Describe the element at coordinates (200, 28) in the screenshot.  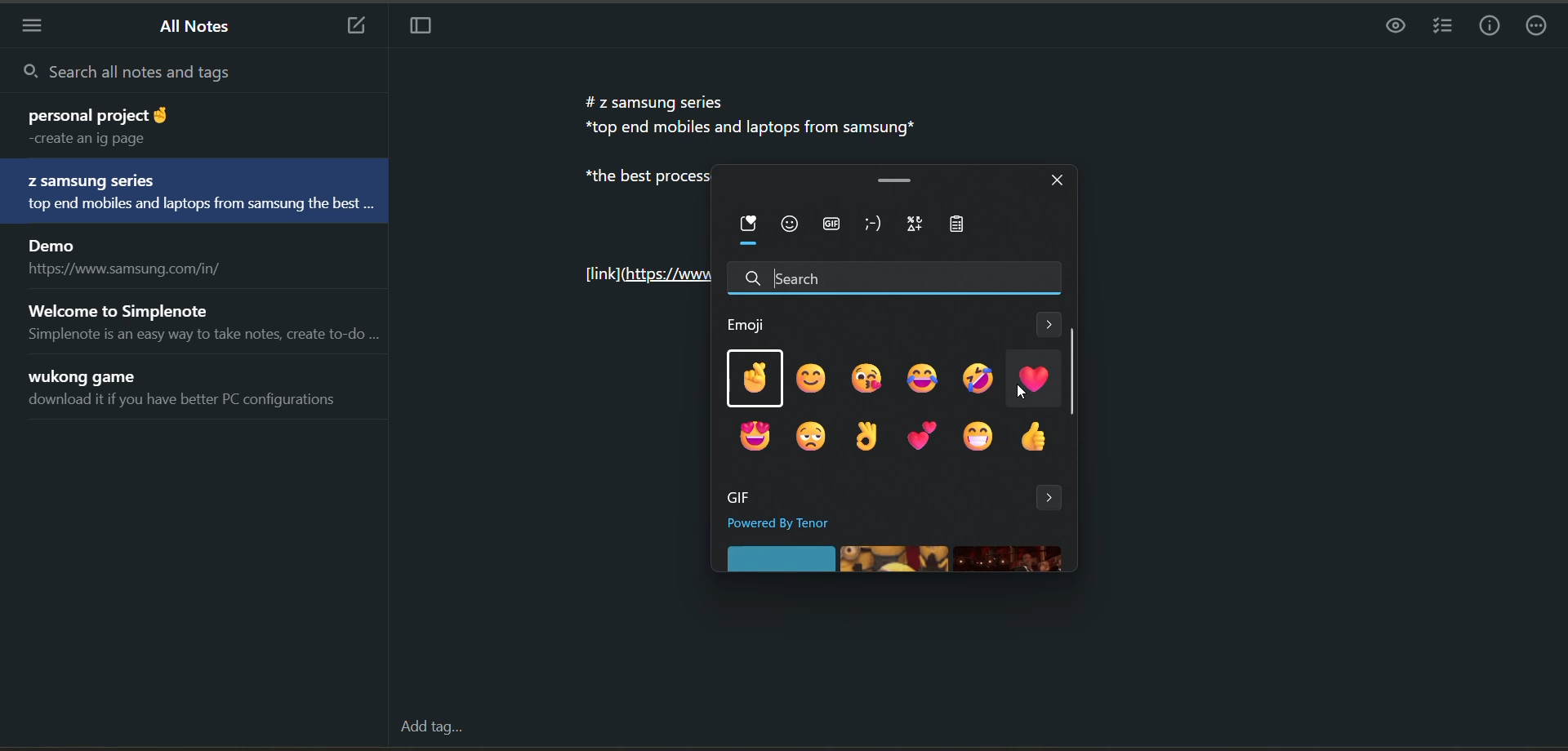
I see `all notes` at that location.